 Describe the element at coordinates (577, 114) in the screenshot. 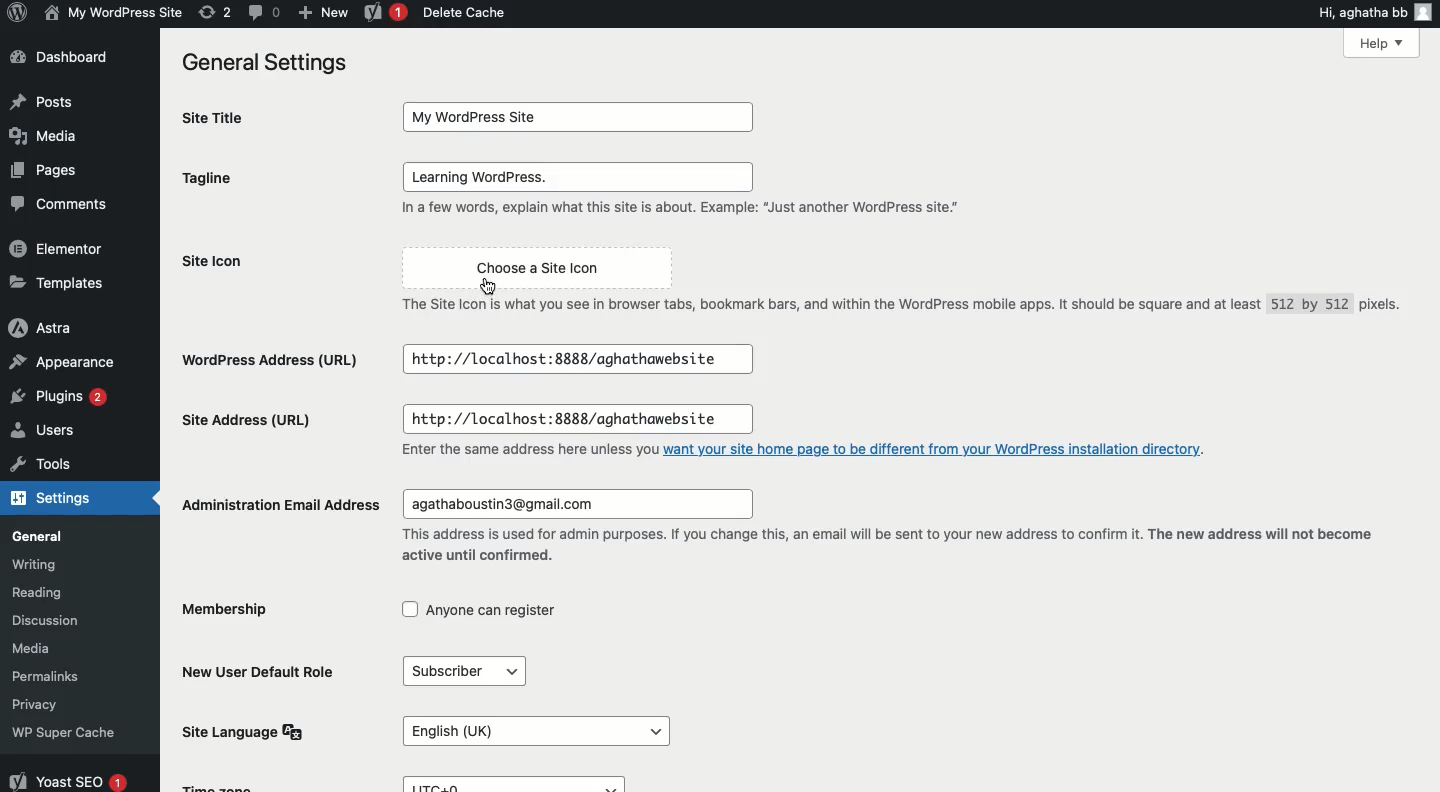

I see `My WordPress Site` at that location.